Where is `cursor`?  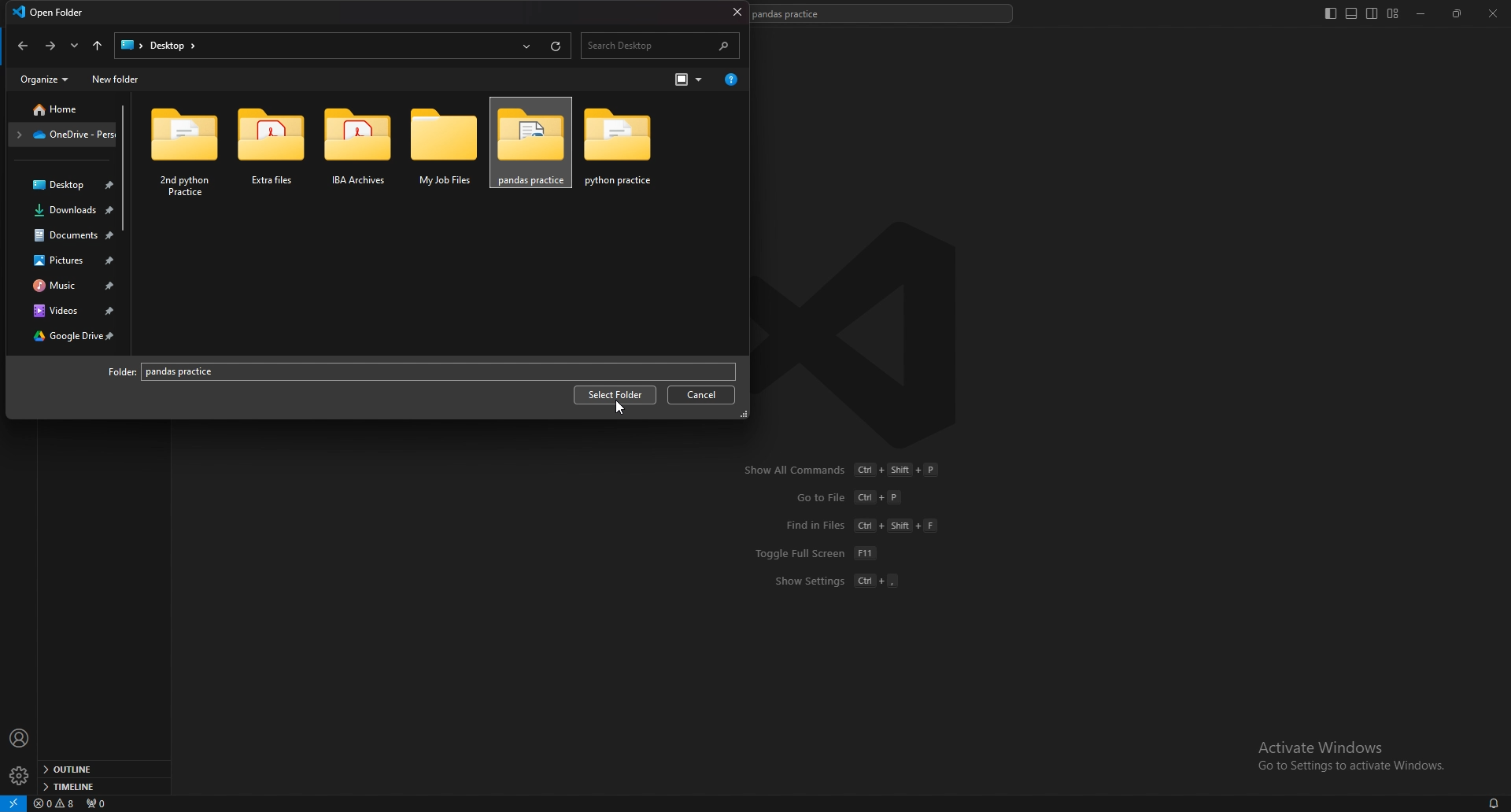 cursor is located at coordinates (617, 406).